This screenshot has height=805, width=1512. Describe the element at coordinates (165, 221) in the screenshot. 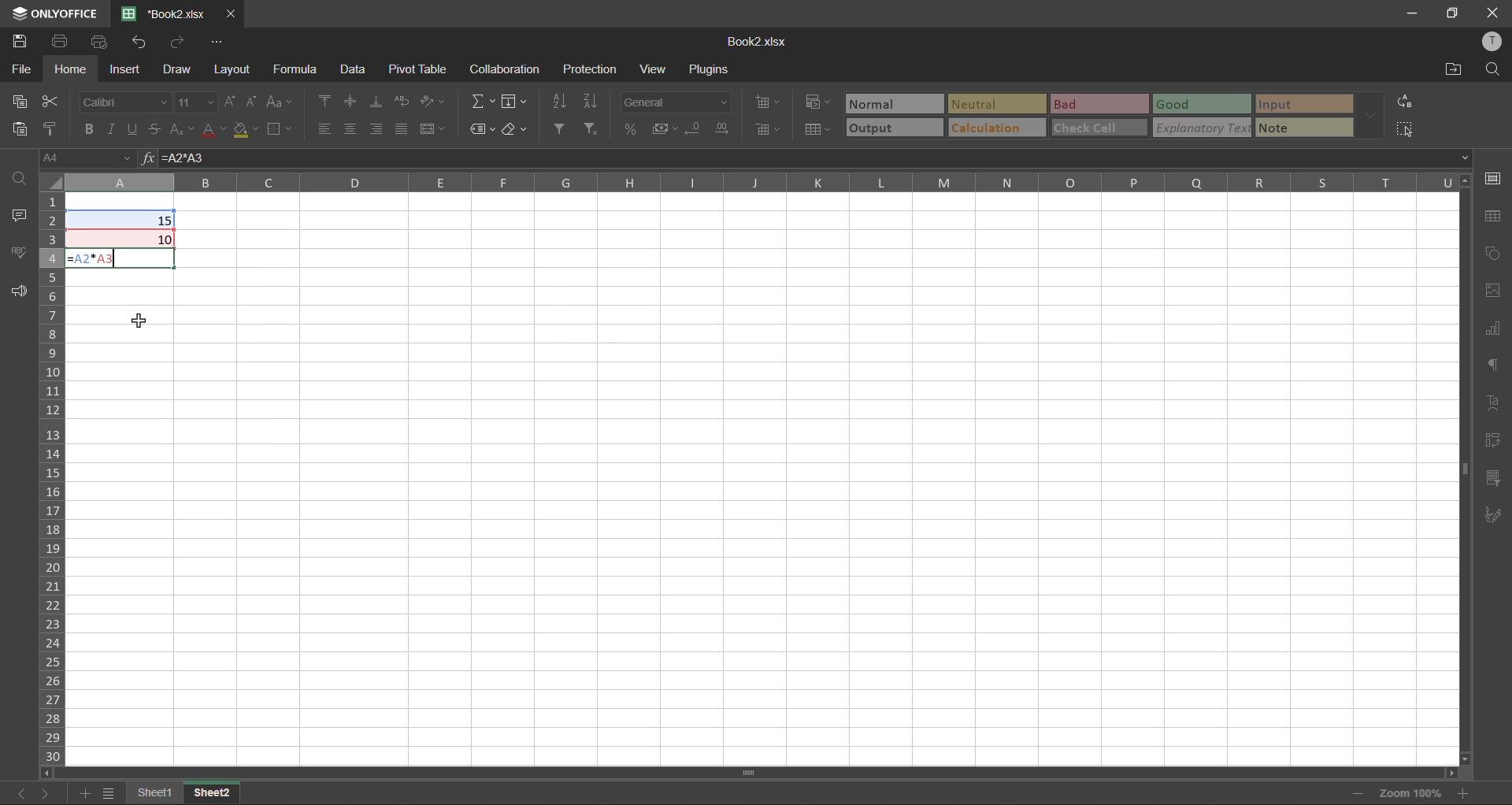

I see `15` at that location.